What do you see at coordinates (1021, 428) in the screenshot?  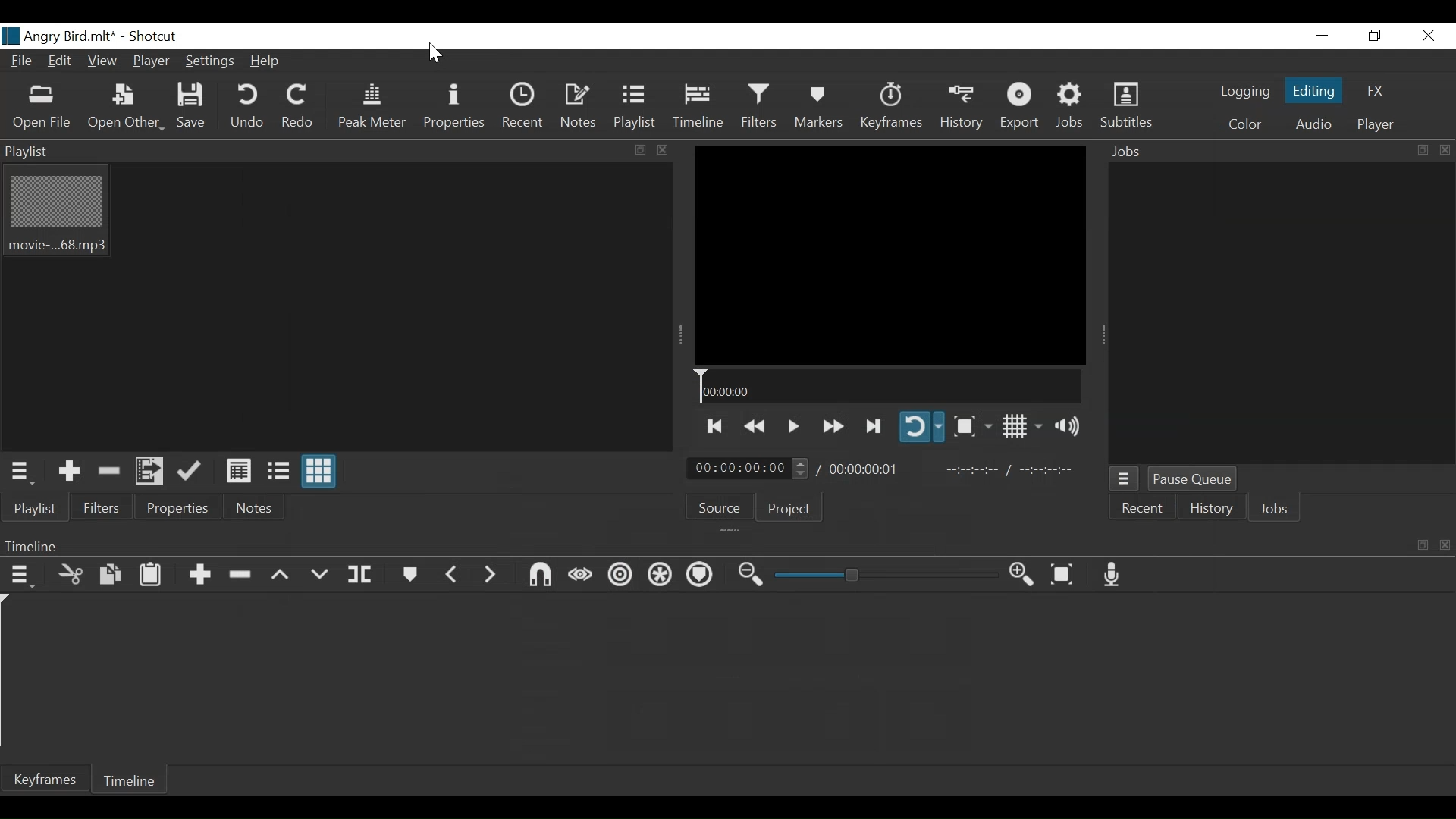 I see `Toggle display grid on player` at bounding box center [1021, 428].